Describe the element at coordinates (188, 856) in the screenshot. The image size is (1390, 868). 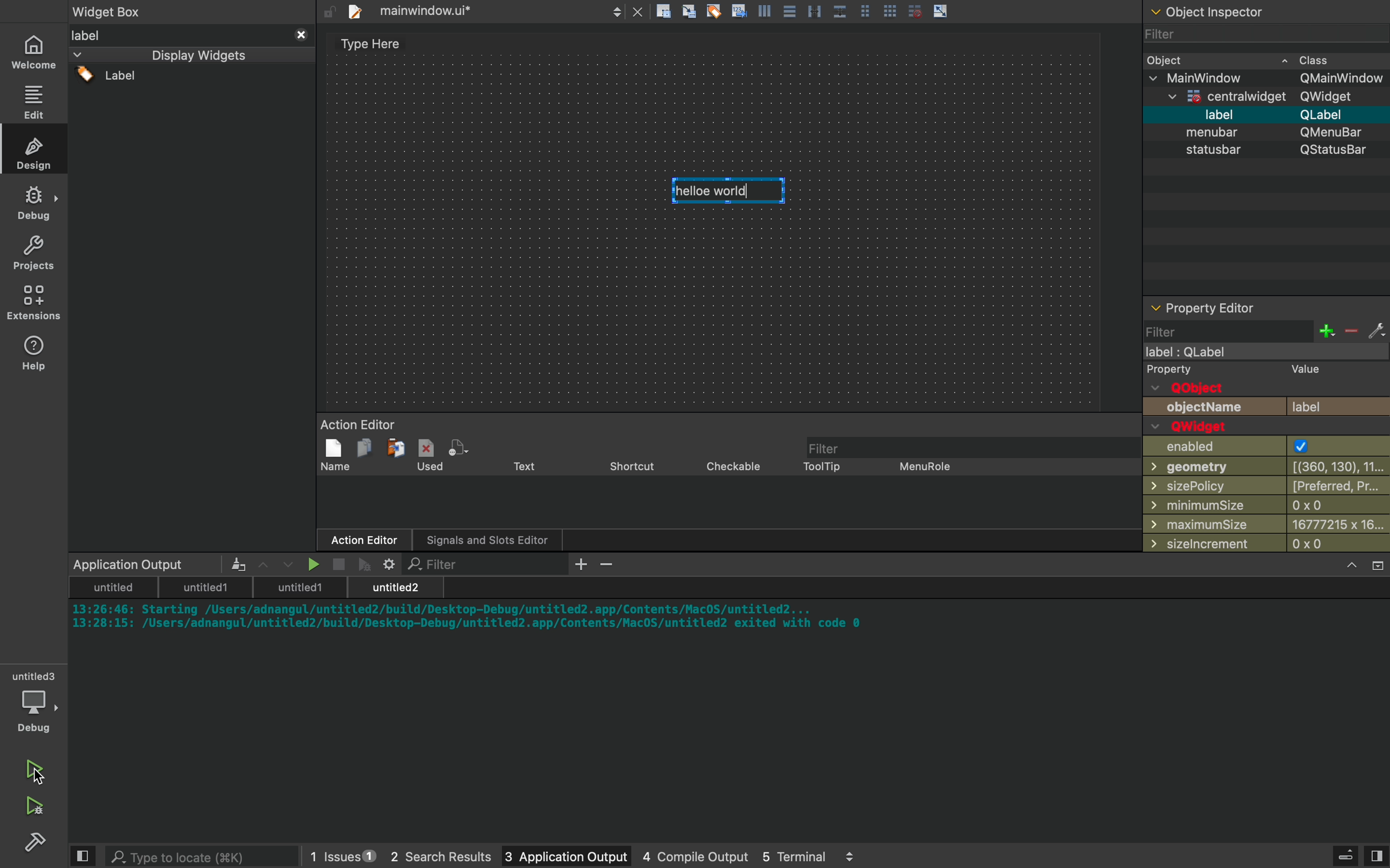
I see `search bar` at that location.